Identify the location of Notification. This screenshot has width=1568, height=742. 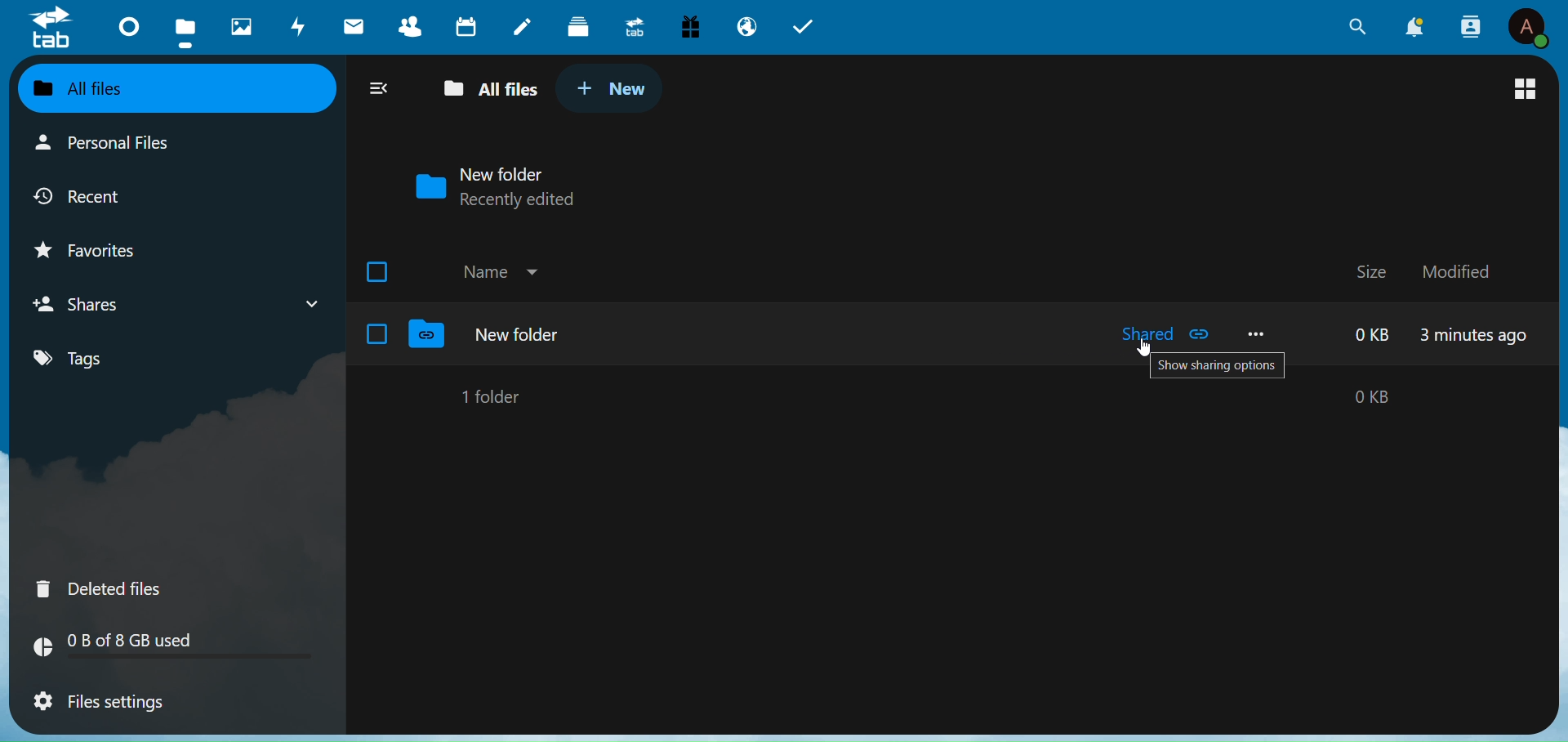
(1415, 27).